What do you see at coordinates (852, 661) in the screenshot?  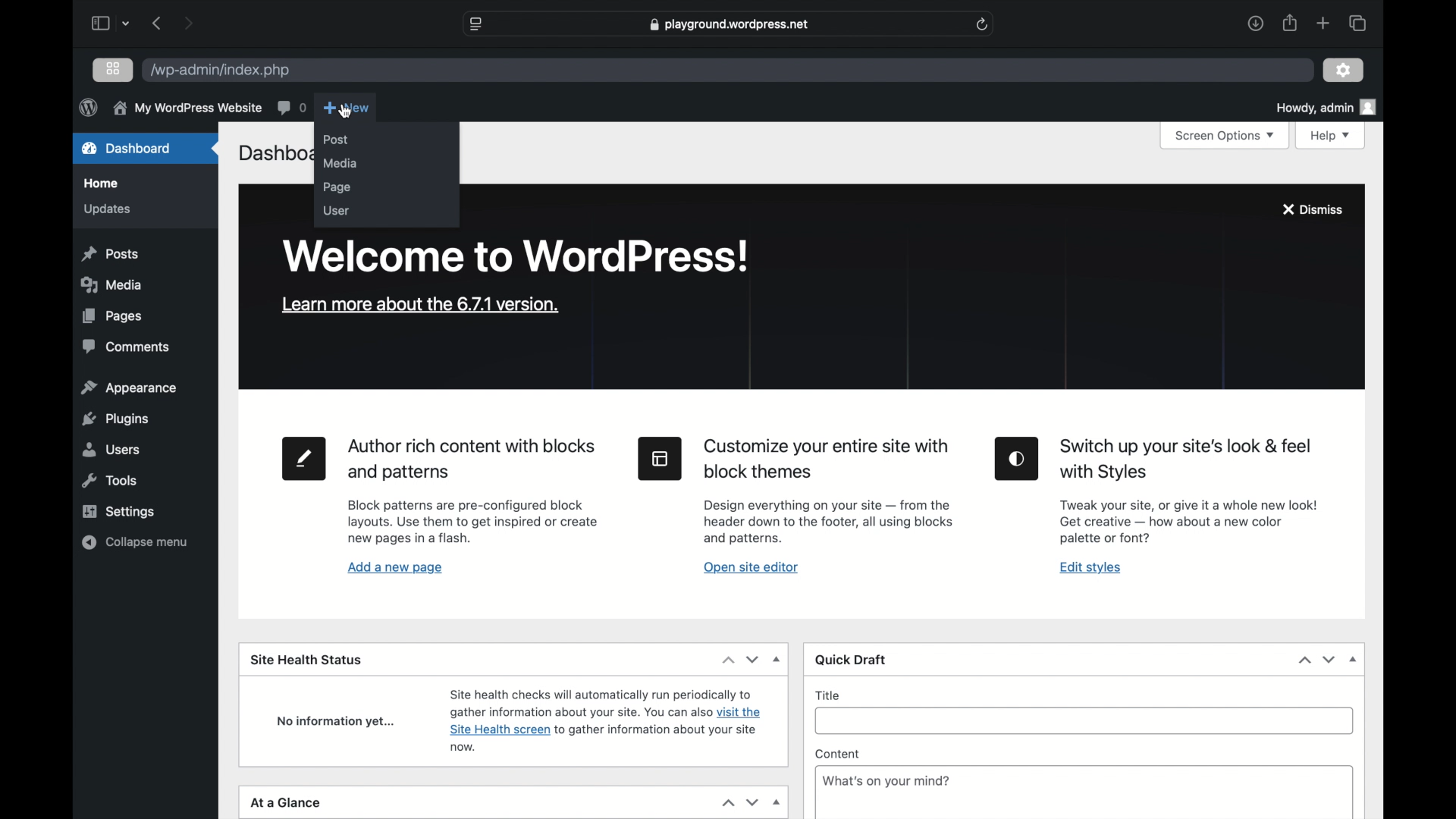 I see `quick draft` at bounding box center [852, 661].